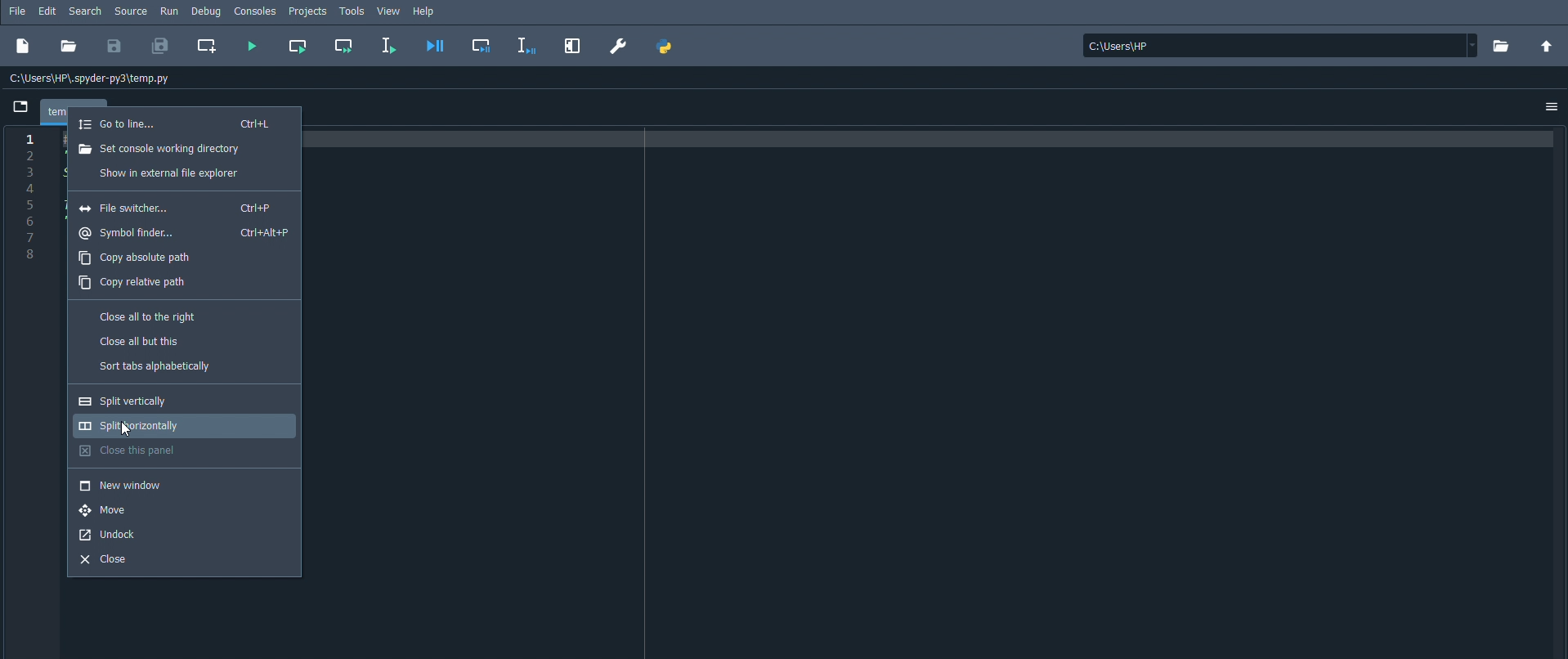 This screenshot has height=659, width=1568. Describe the element at coordinates (435, 46) in the screenshot. I see `Debug file` at that location.